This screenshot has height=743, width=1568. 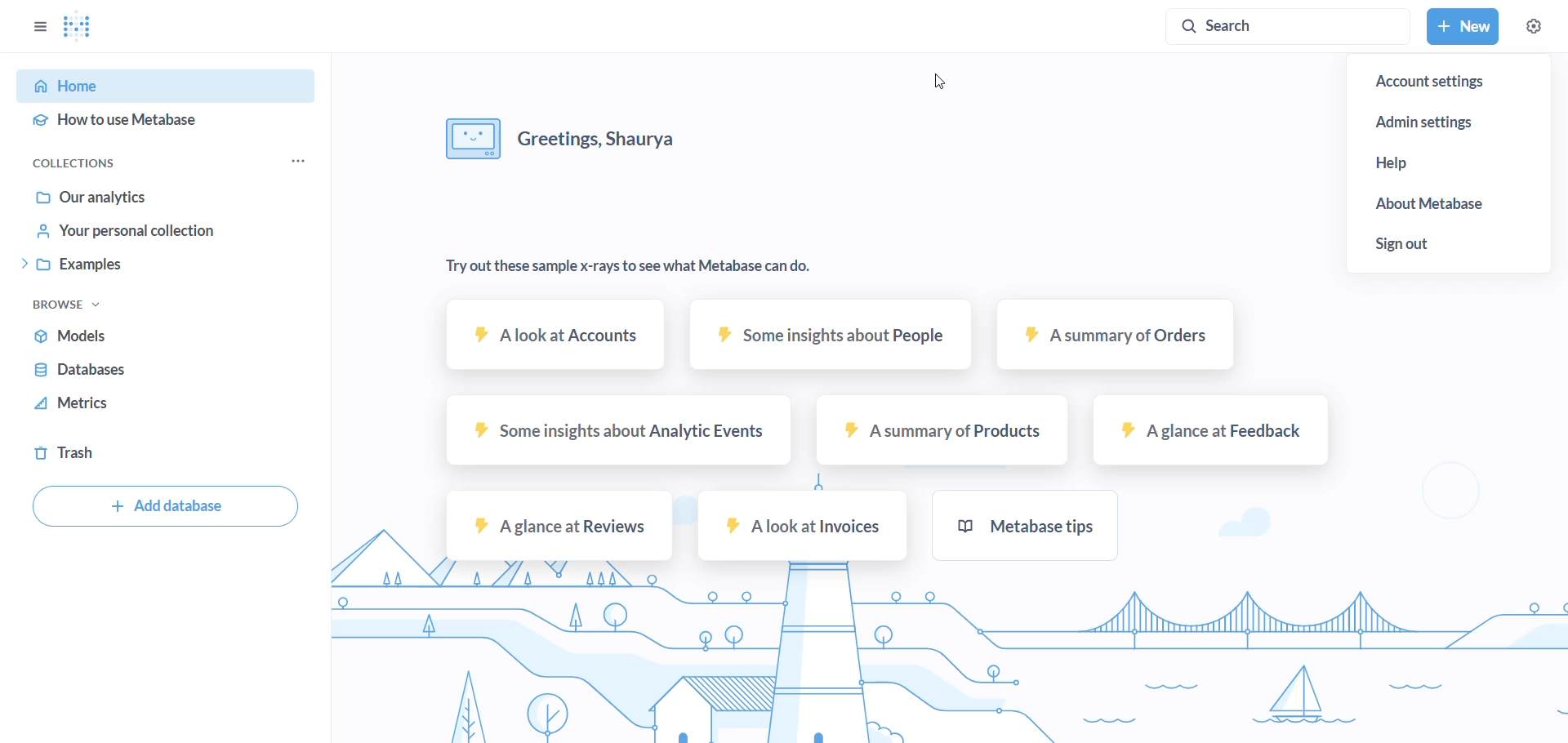 What do you see at coordinates (82, 306) in the screenshot?
I see `browse` at bounding box center [82, 306].